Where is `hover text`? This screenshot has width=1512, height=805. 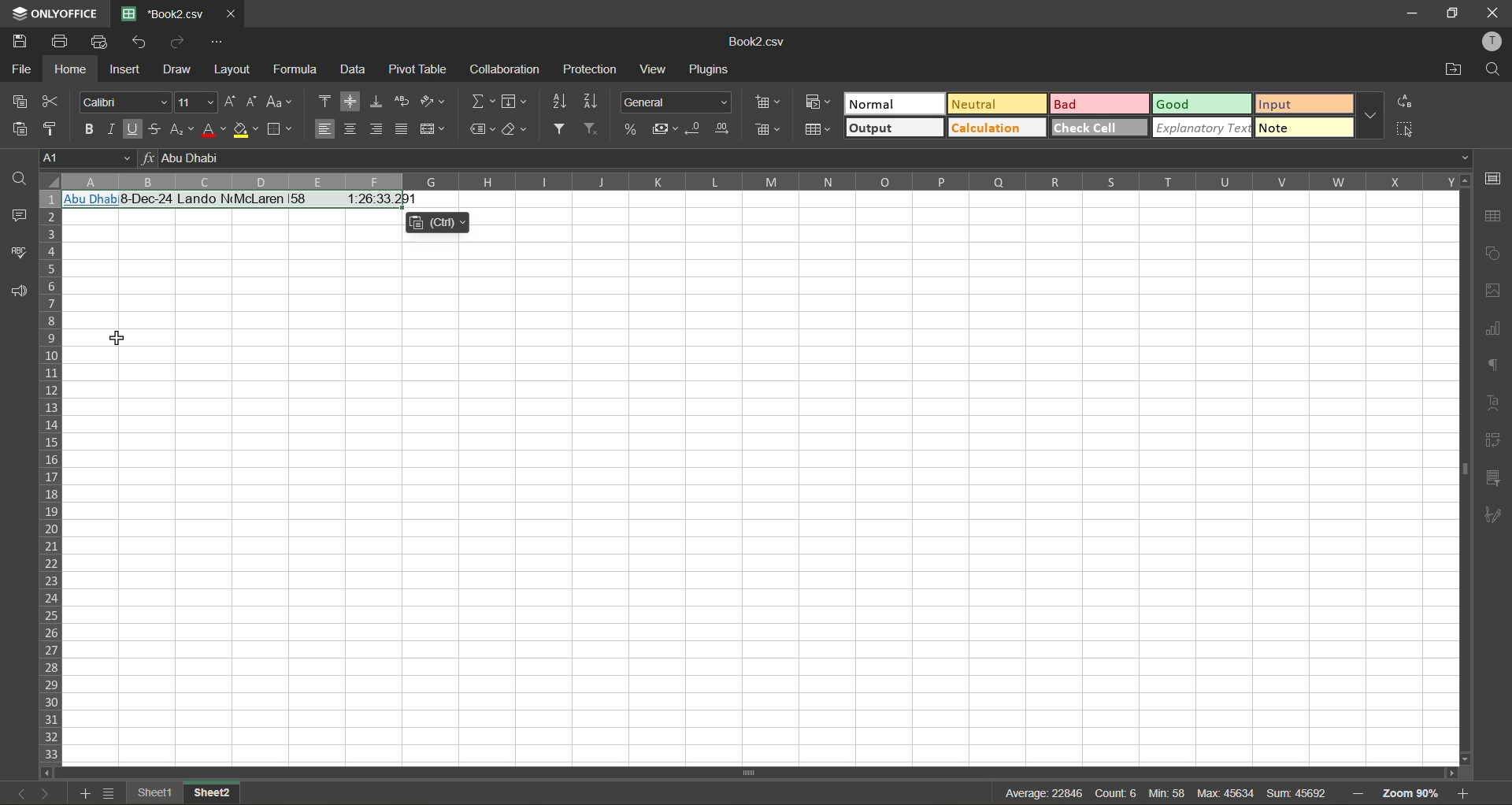 hover text is located at coordinates (439, 224).